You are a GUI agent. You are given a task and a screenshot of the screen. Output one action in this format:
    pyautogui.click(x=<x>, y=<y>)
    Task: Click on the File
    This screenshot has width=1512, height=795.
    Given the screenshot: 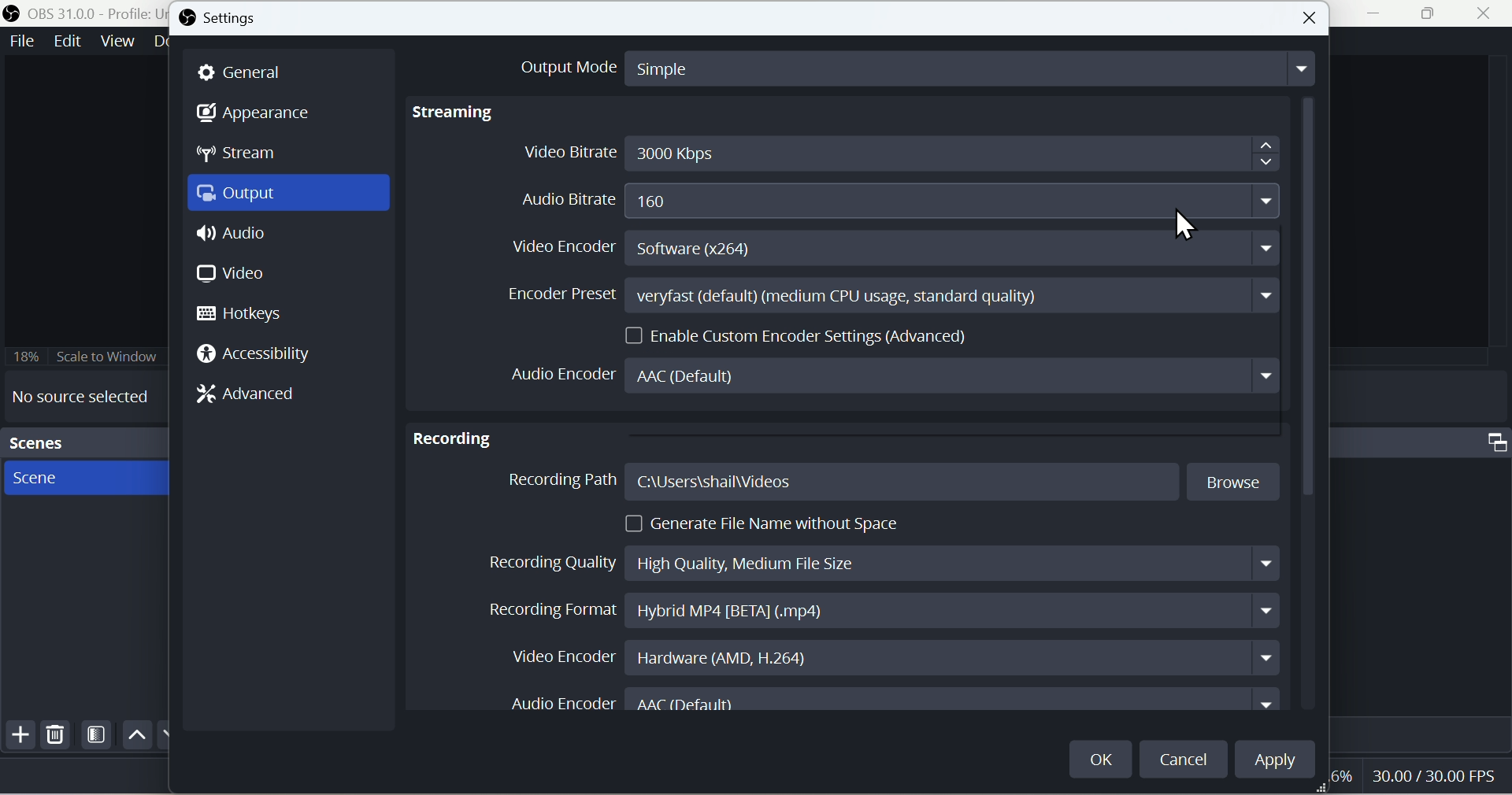 What is the action you would take?
    pyautogui.click(x=20, y=42)
    